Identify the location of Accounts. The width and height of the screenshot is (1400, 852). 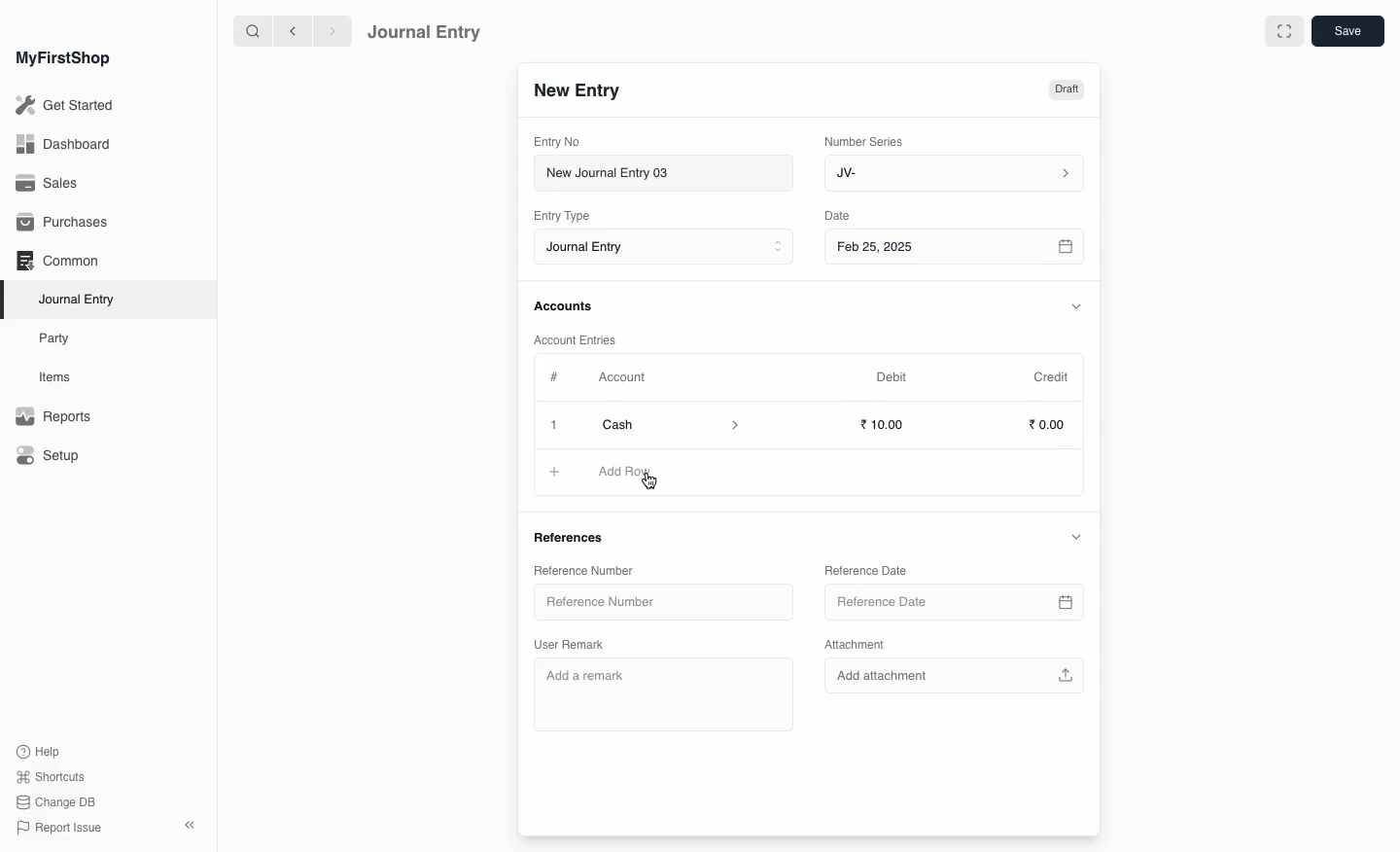
(565, 306).